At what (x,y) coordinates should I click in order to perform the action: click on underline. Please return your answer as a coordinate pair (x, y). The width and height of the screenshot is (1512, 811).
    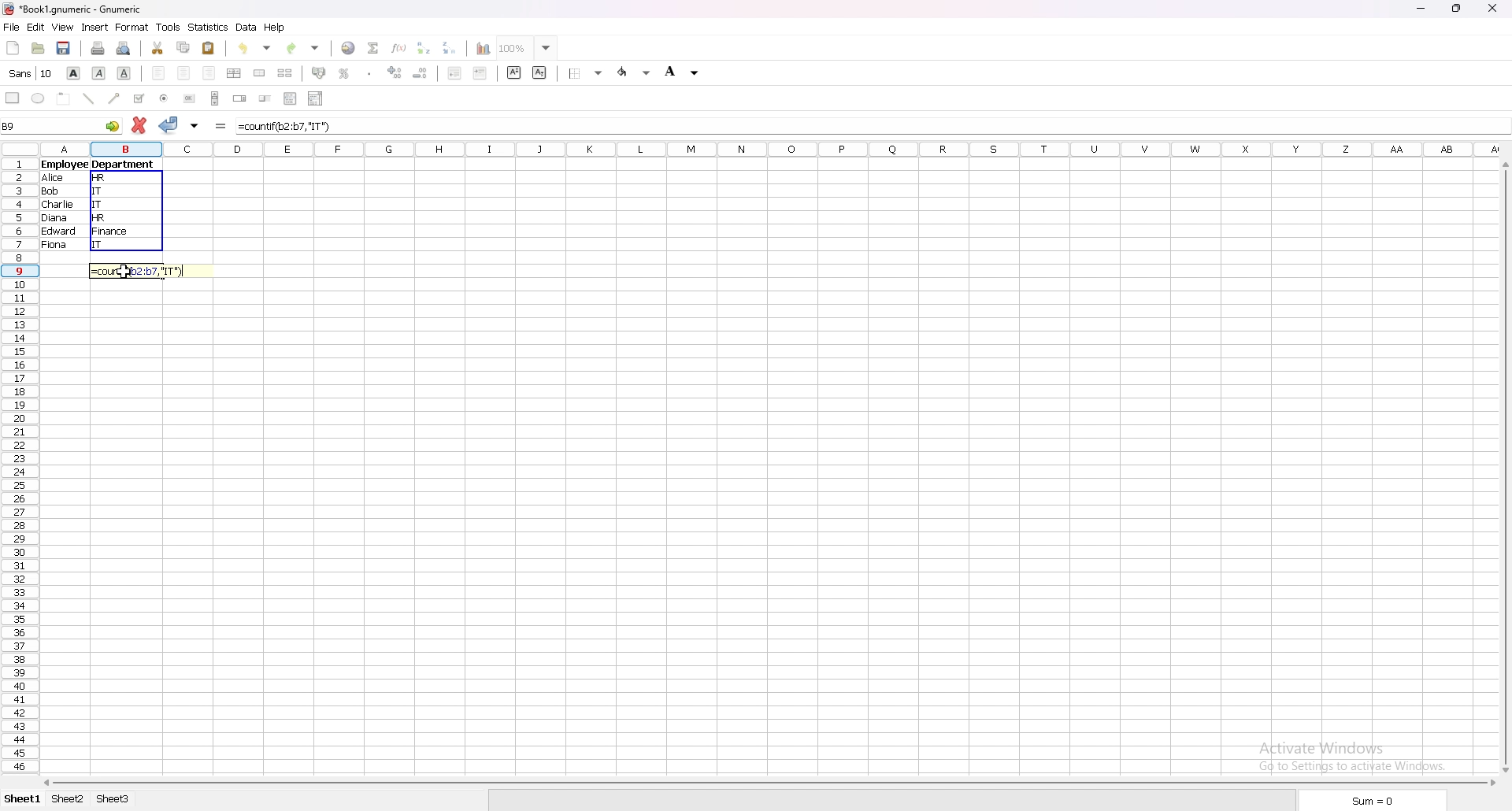
    Looking at the image, I should click on (124, 72).